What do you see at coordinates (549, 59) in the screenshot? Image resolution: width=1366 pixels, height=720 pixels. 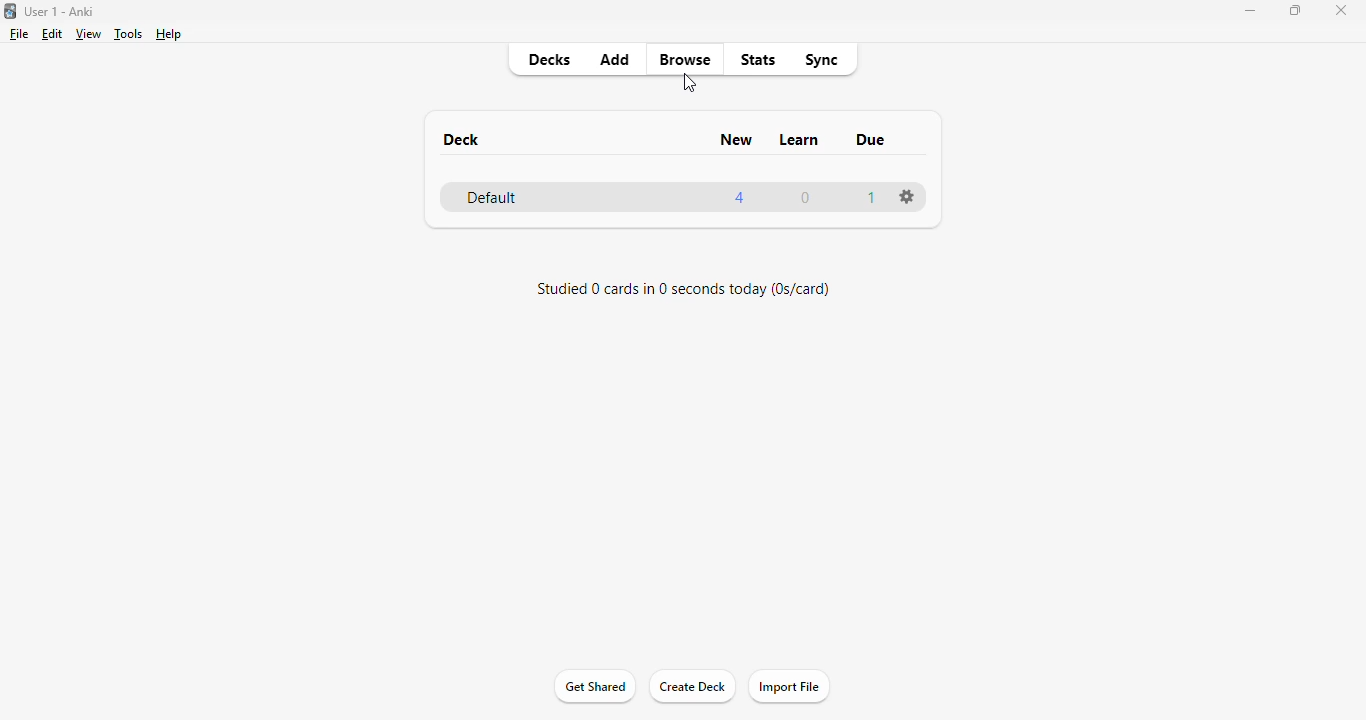 I see `decks` at bounding box center [549, 59].